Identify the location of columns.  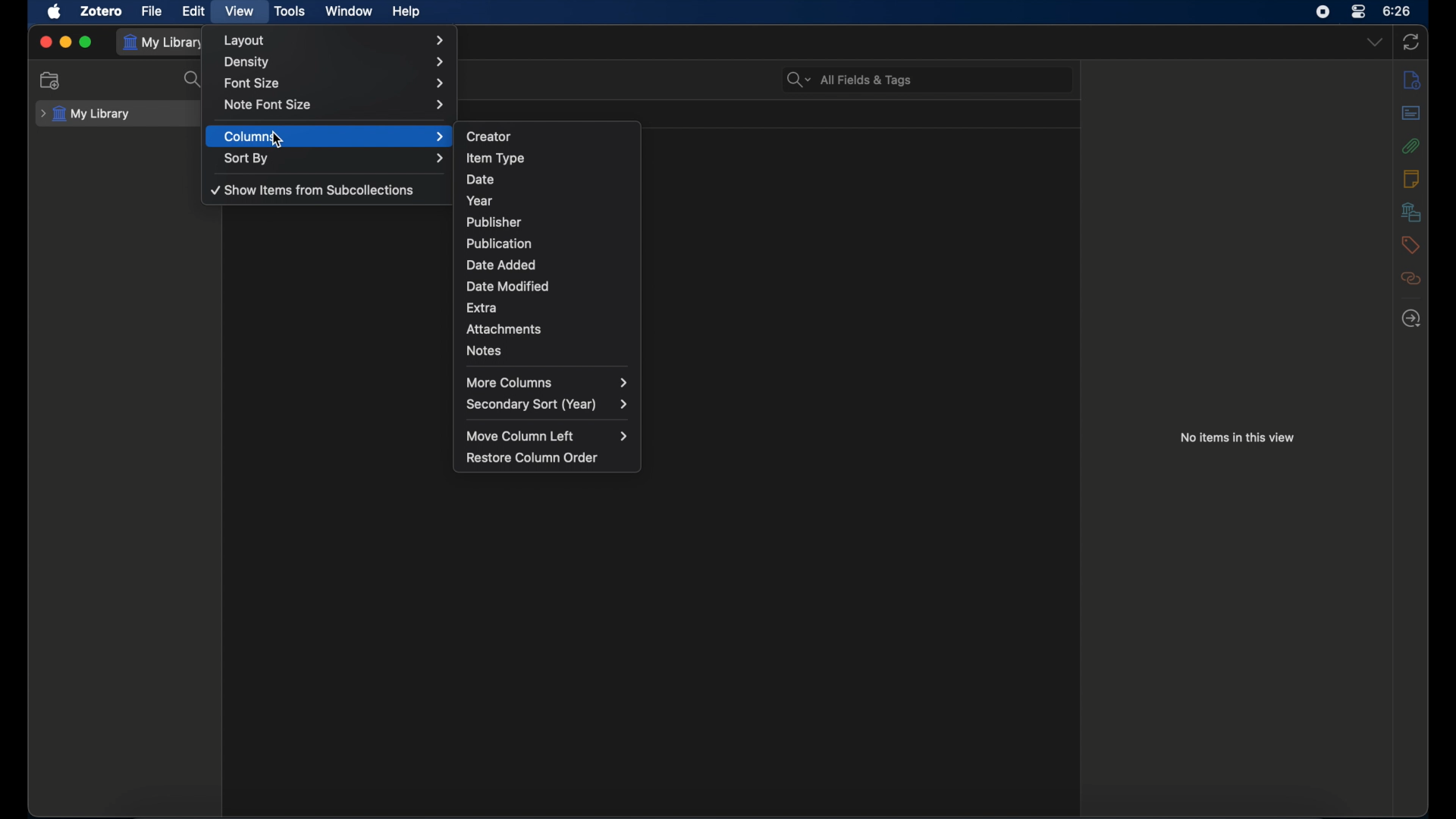
(335, 136).